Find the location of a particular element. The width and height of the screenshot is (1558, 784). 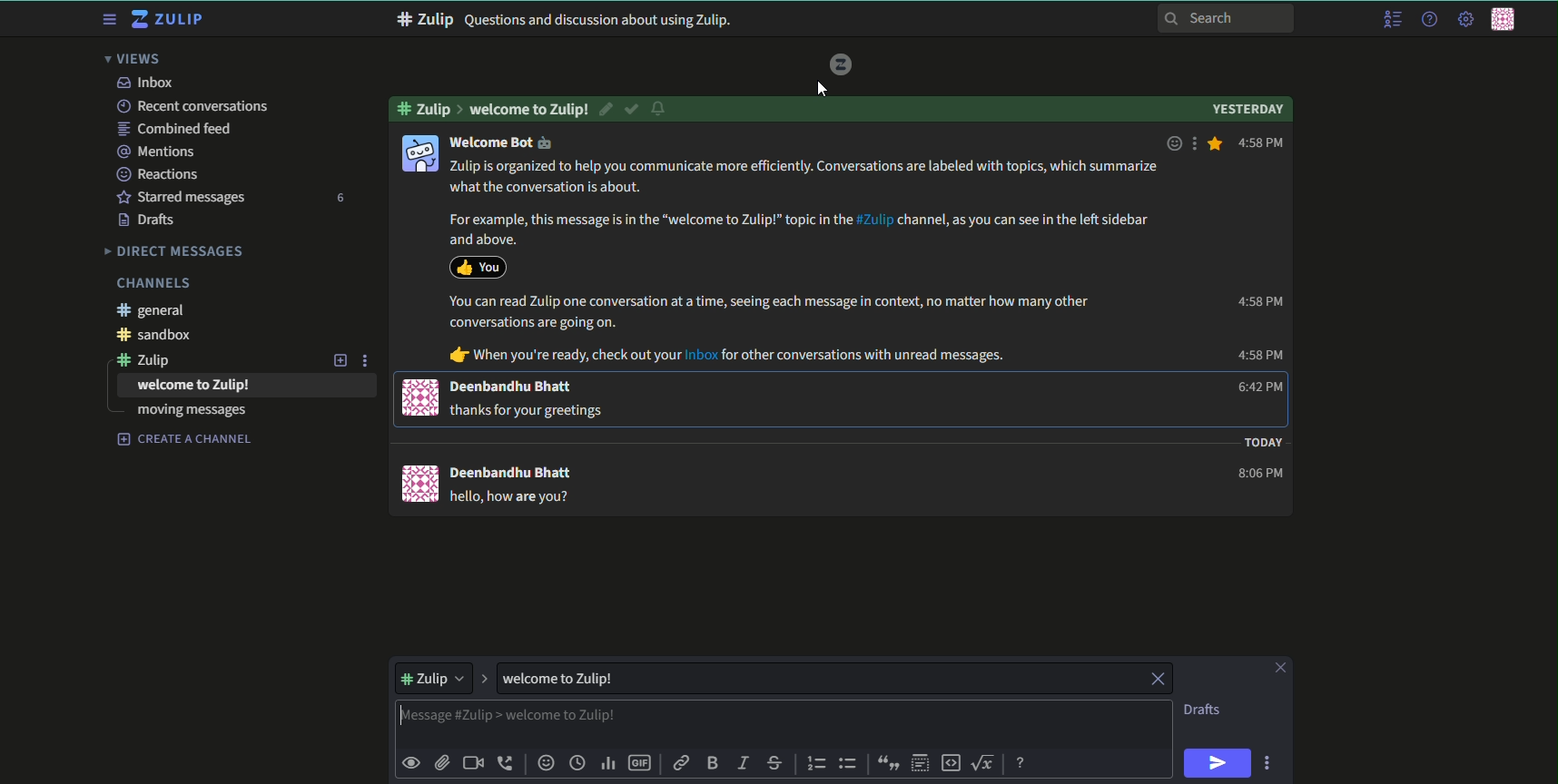

strikethrough is located at coordinates (775, 763).